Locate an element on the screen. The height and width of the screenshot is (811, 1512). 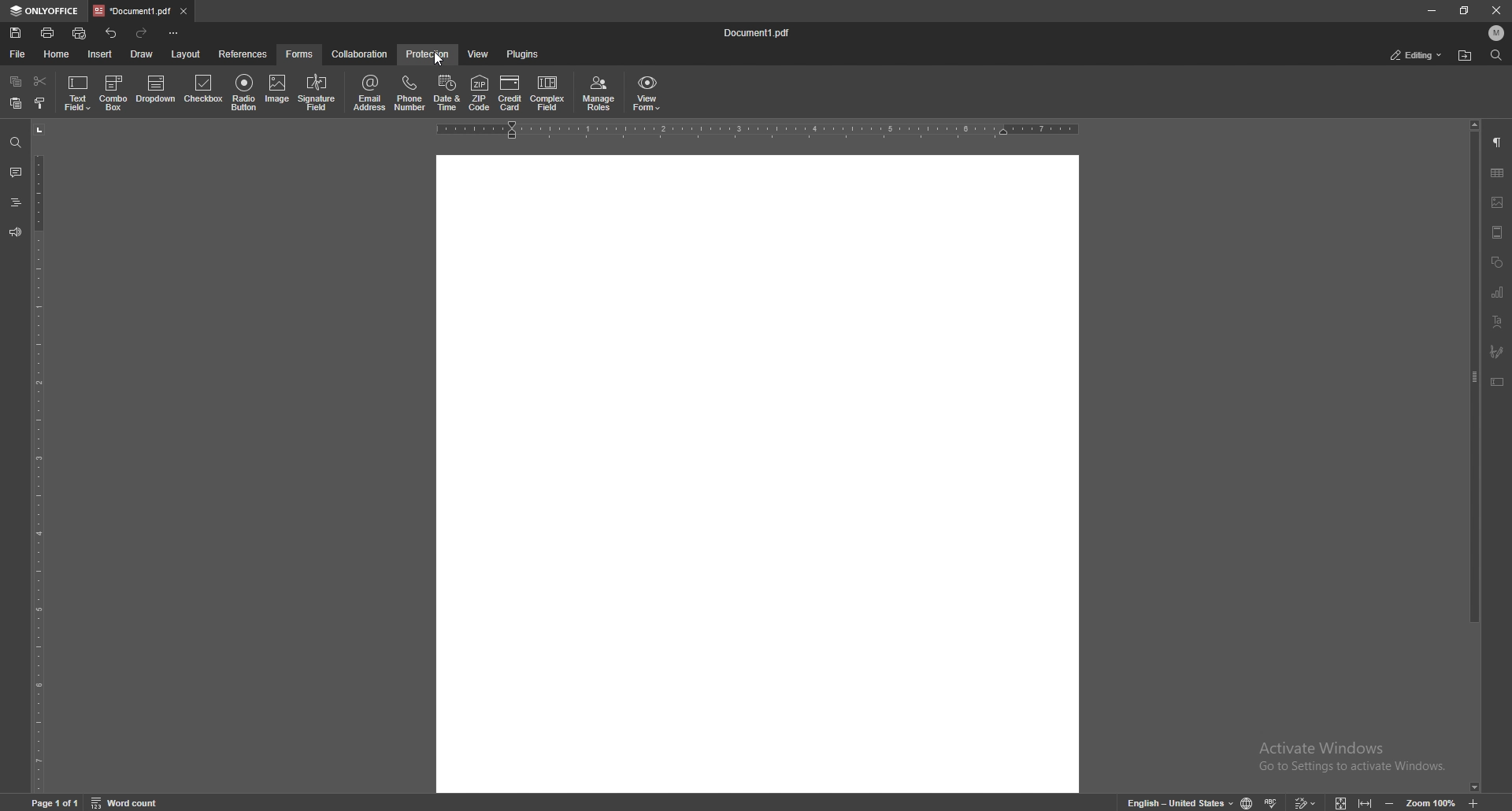
insert is located at coordinates (102, 54).